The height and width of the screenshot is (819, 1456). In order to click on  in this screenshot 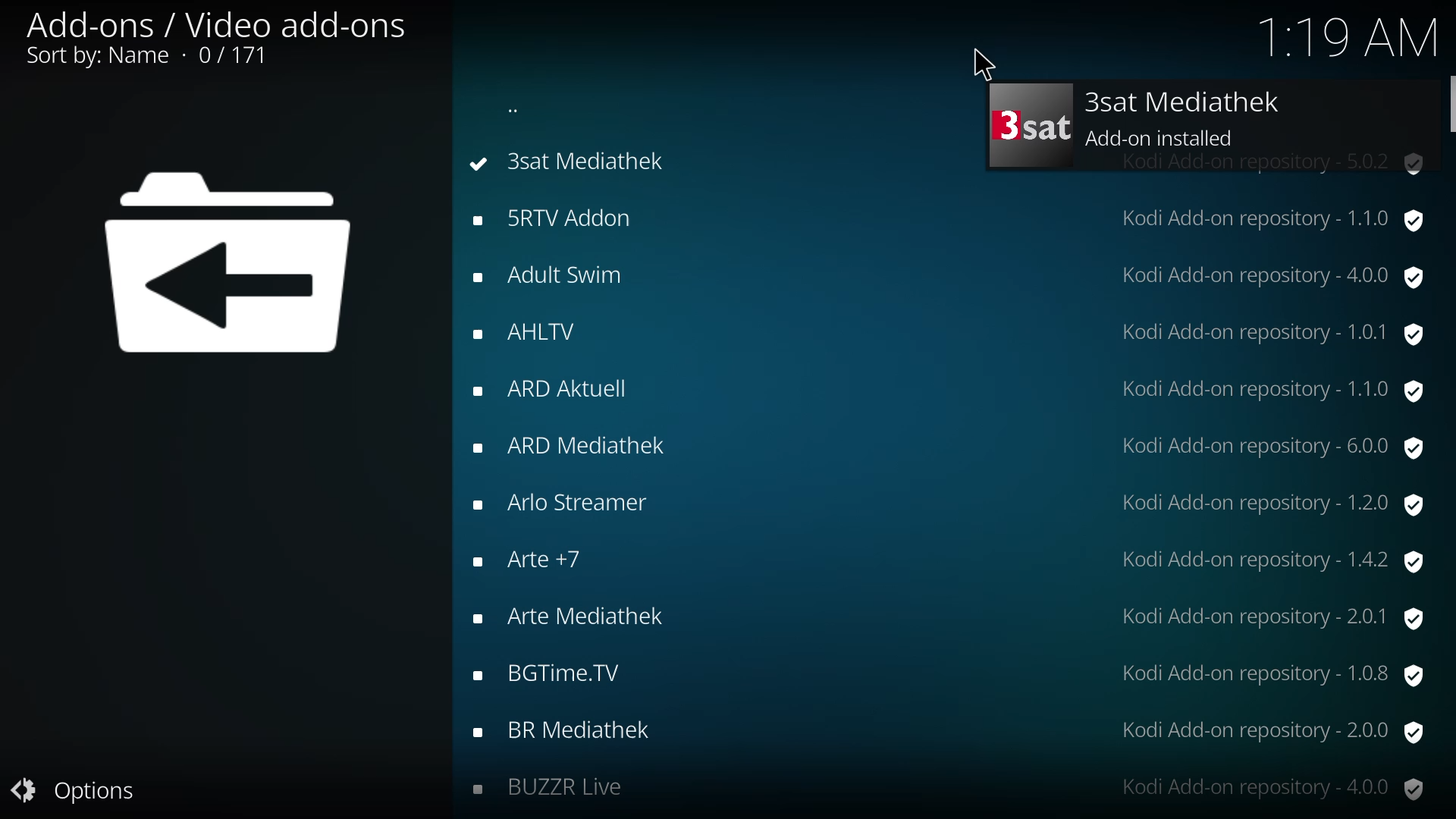, I will do `click(565, 505)`.